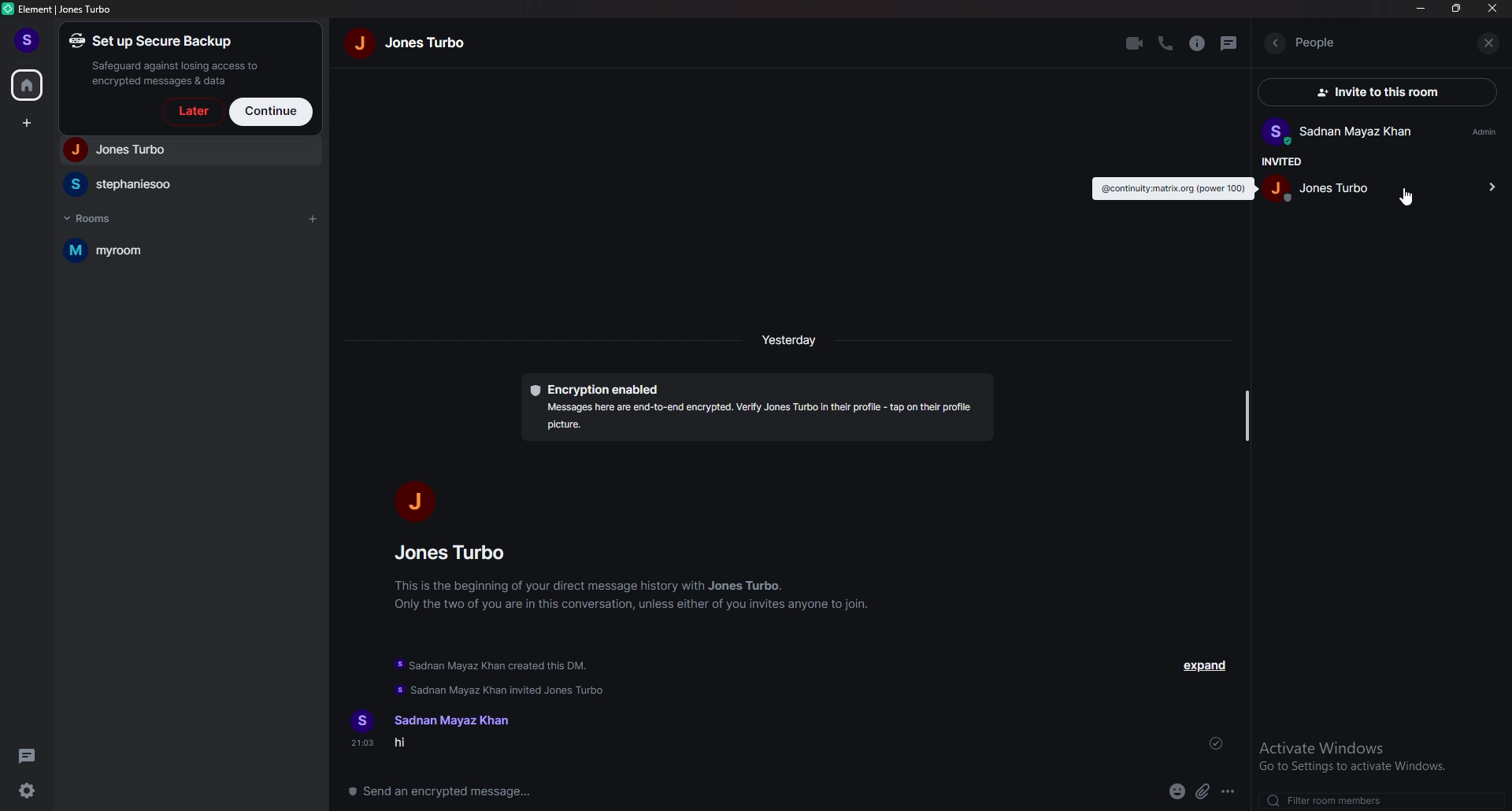  Describe the element at coordinates (1408, 198) in the screenshot. I see `cursor` at that location.